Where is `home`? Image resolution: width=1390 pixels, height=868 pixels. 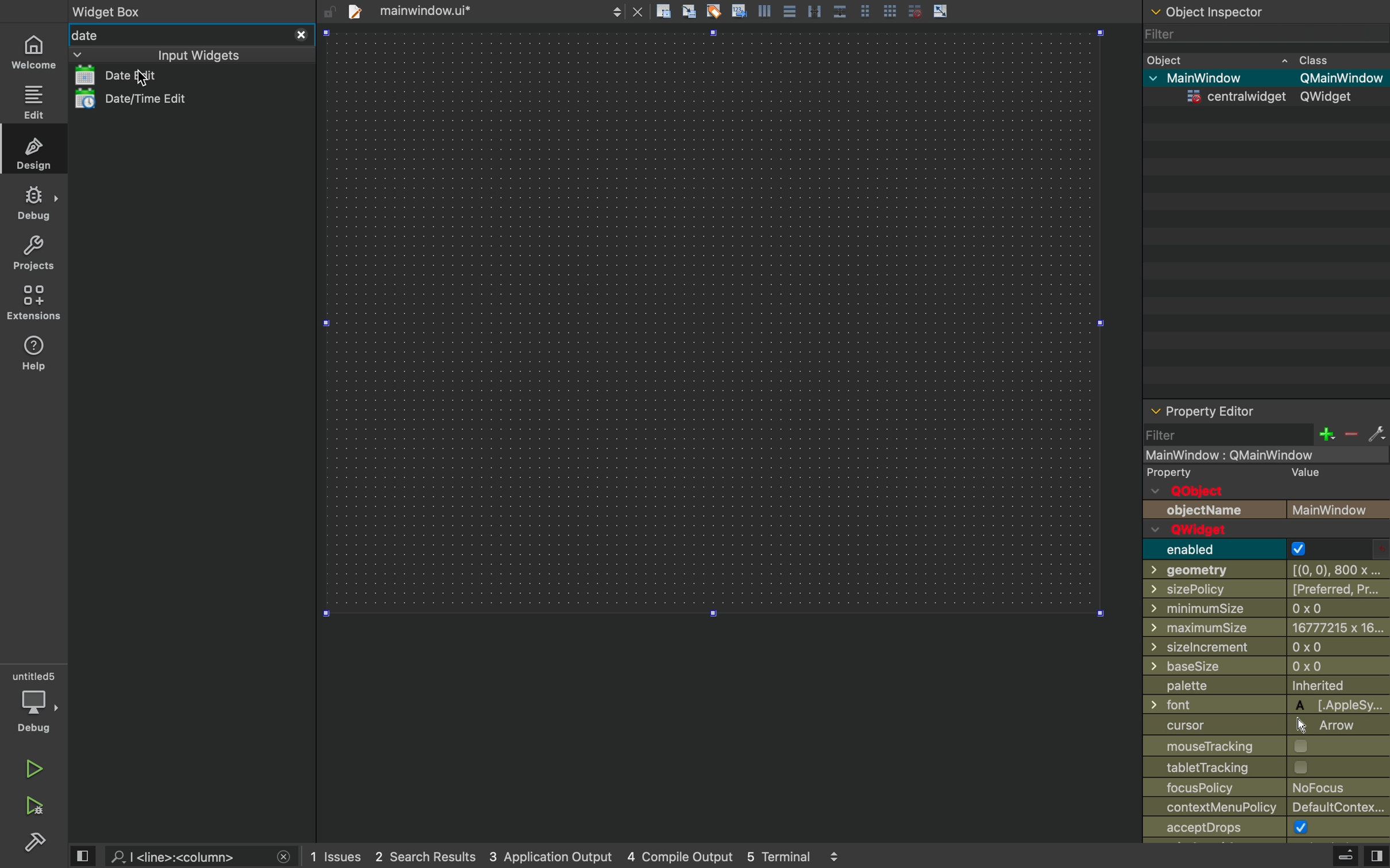
home is located at coordinates (32, 51).